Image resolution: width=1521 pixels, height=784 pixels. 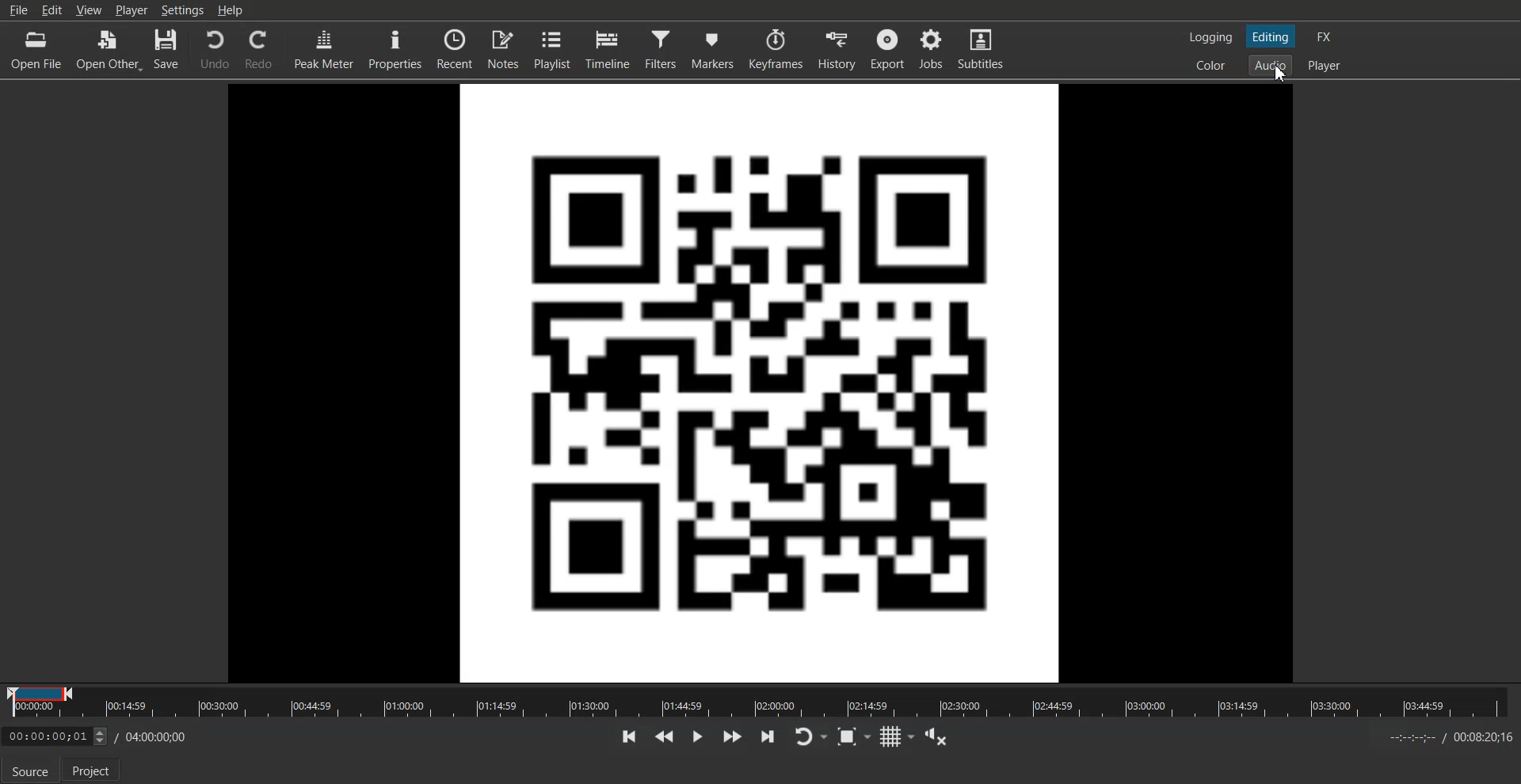 I want to click on Peak Meter, so click(x=324, y=49).